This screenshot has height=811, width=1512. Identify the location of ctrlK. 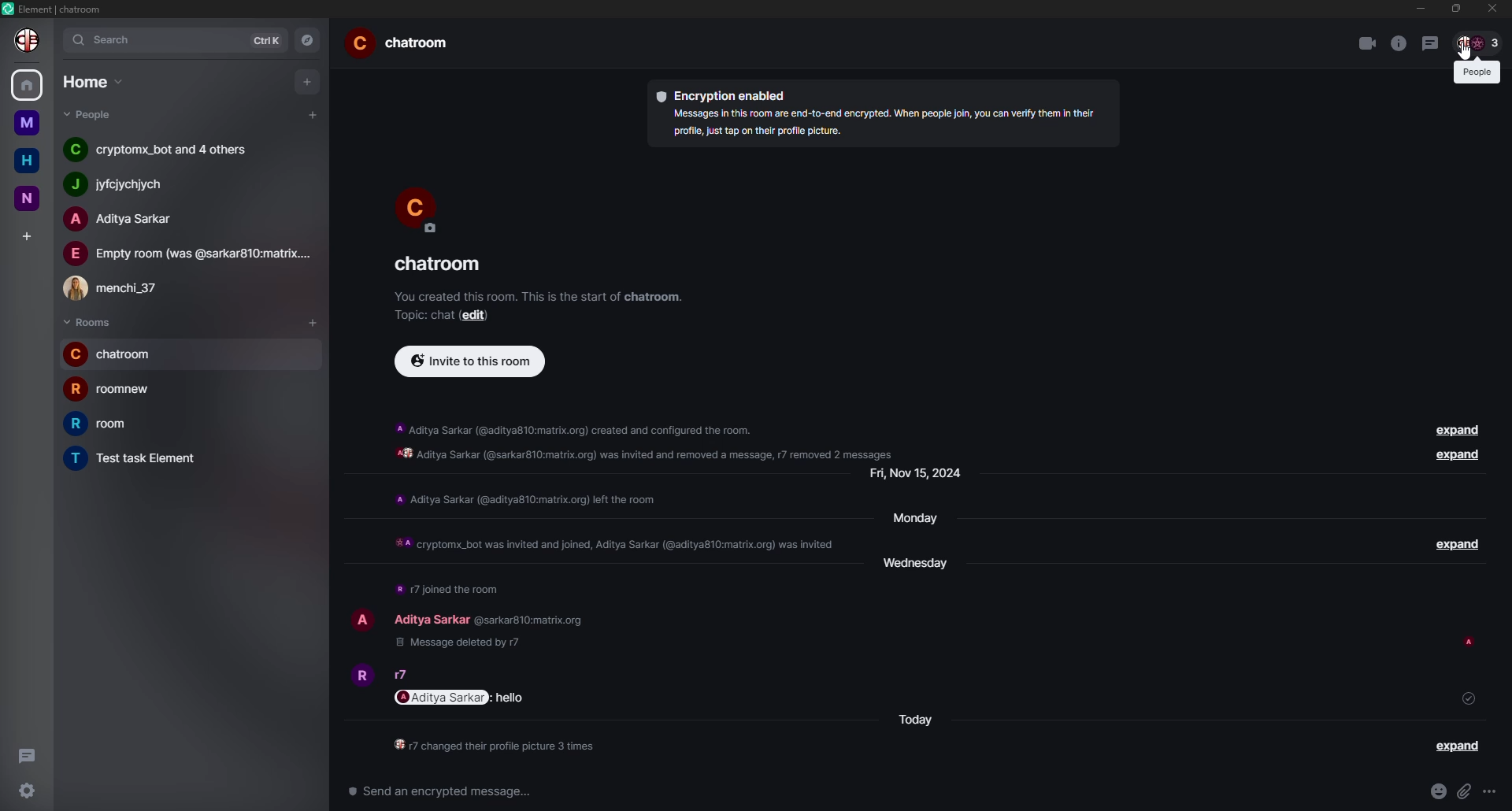
(267, 41).